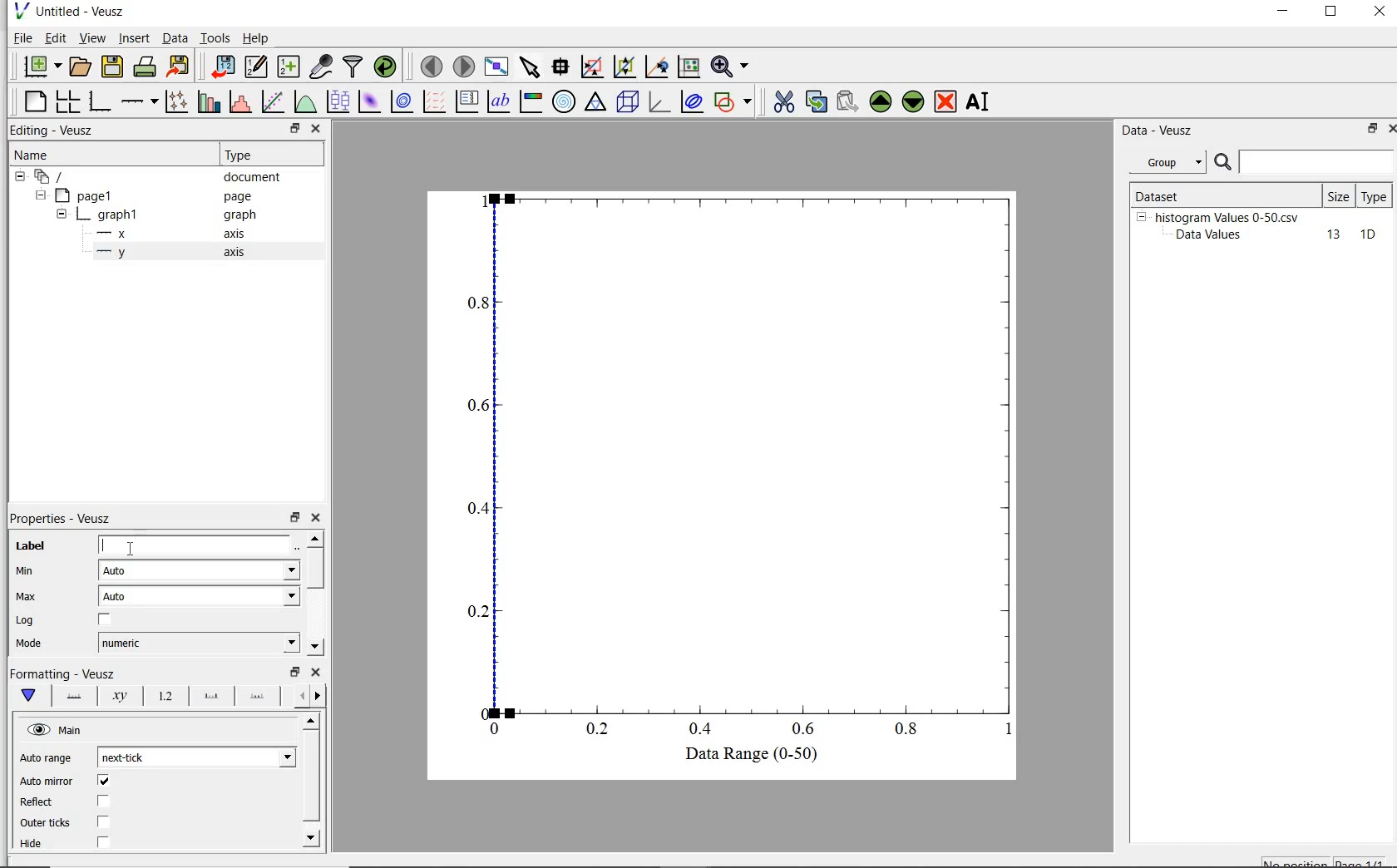 The width and height of the screenshot is (1397, 868). What do you see at coordinates (1375, 195) in the screenshot?
I see `type` at bounding box center [1375, 195].